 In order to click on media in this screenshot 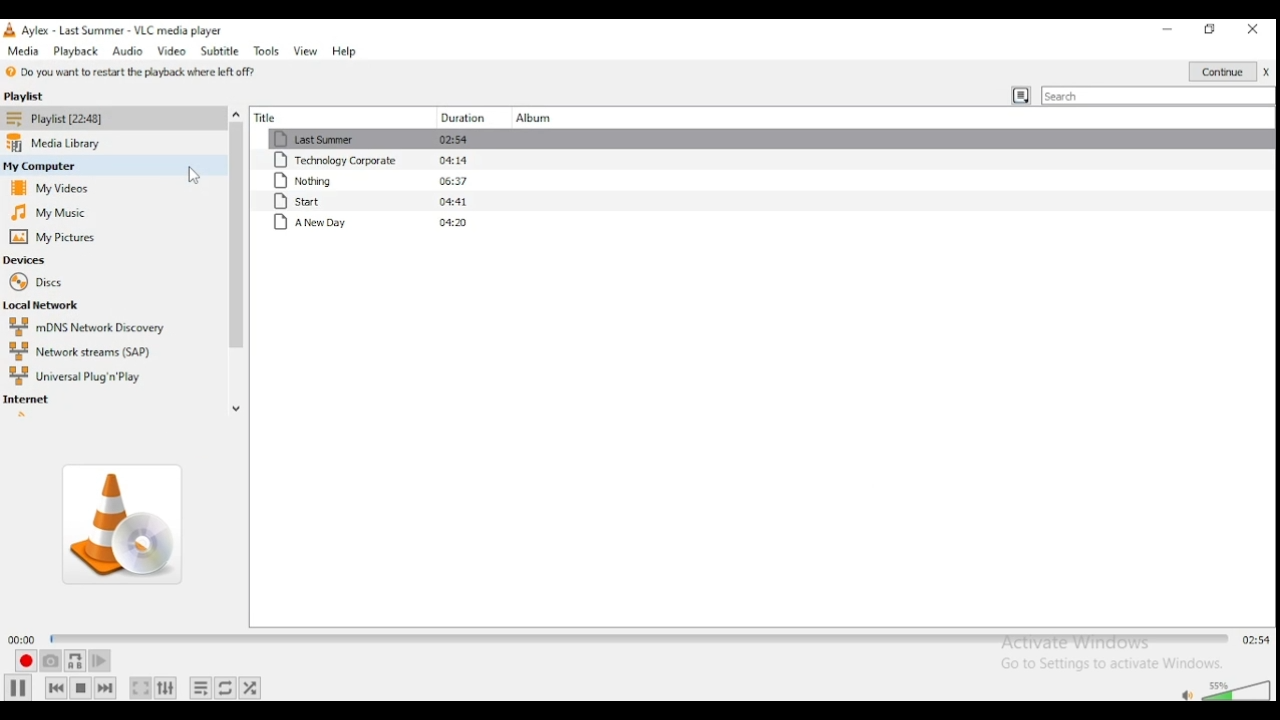, I will do `click(24, 51)`.